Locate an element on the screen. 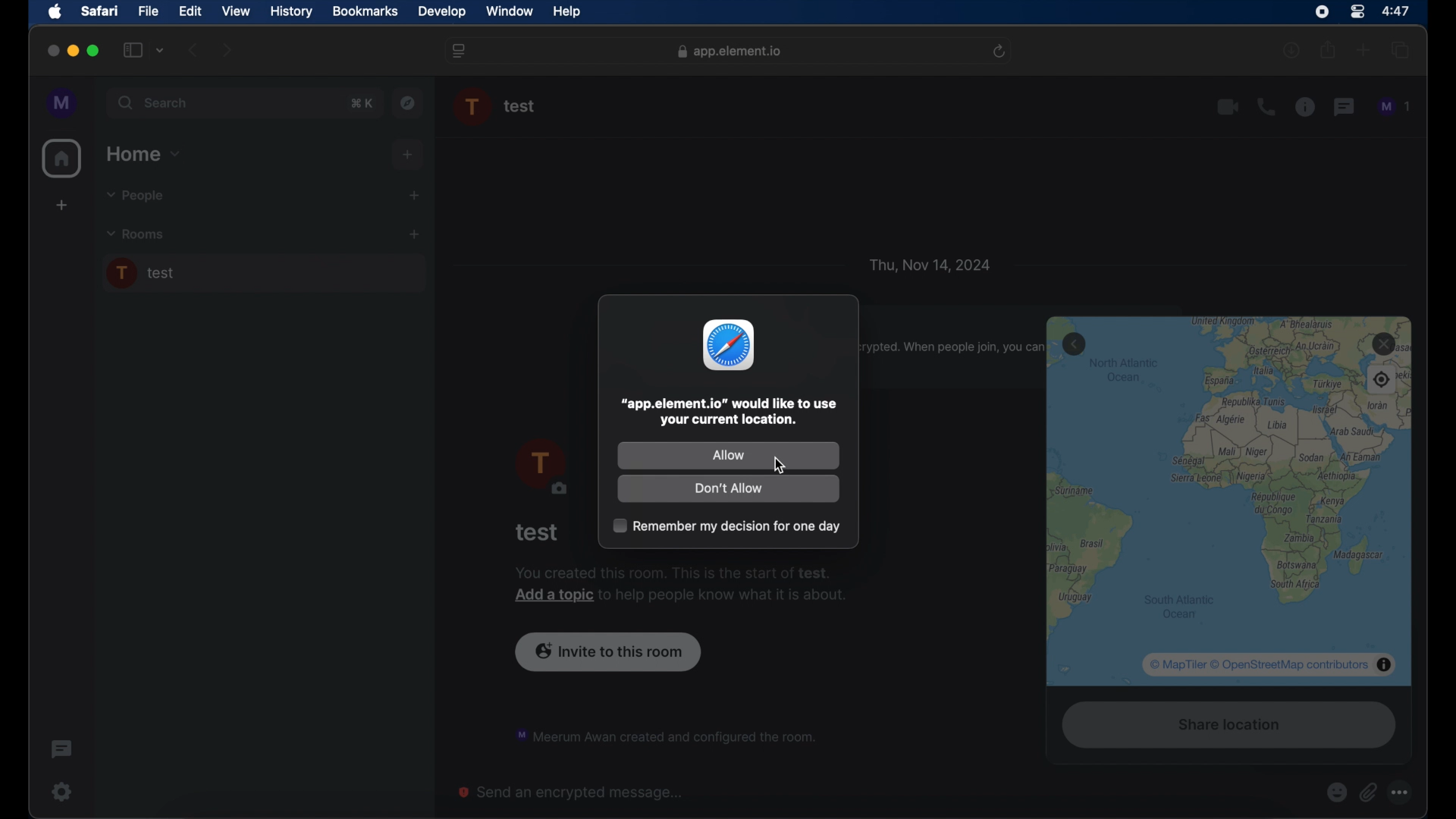 The width and height of the screenshot is (1456, 819). Cursor is located at coordinates (783, 467).